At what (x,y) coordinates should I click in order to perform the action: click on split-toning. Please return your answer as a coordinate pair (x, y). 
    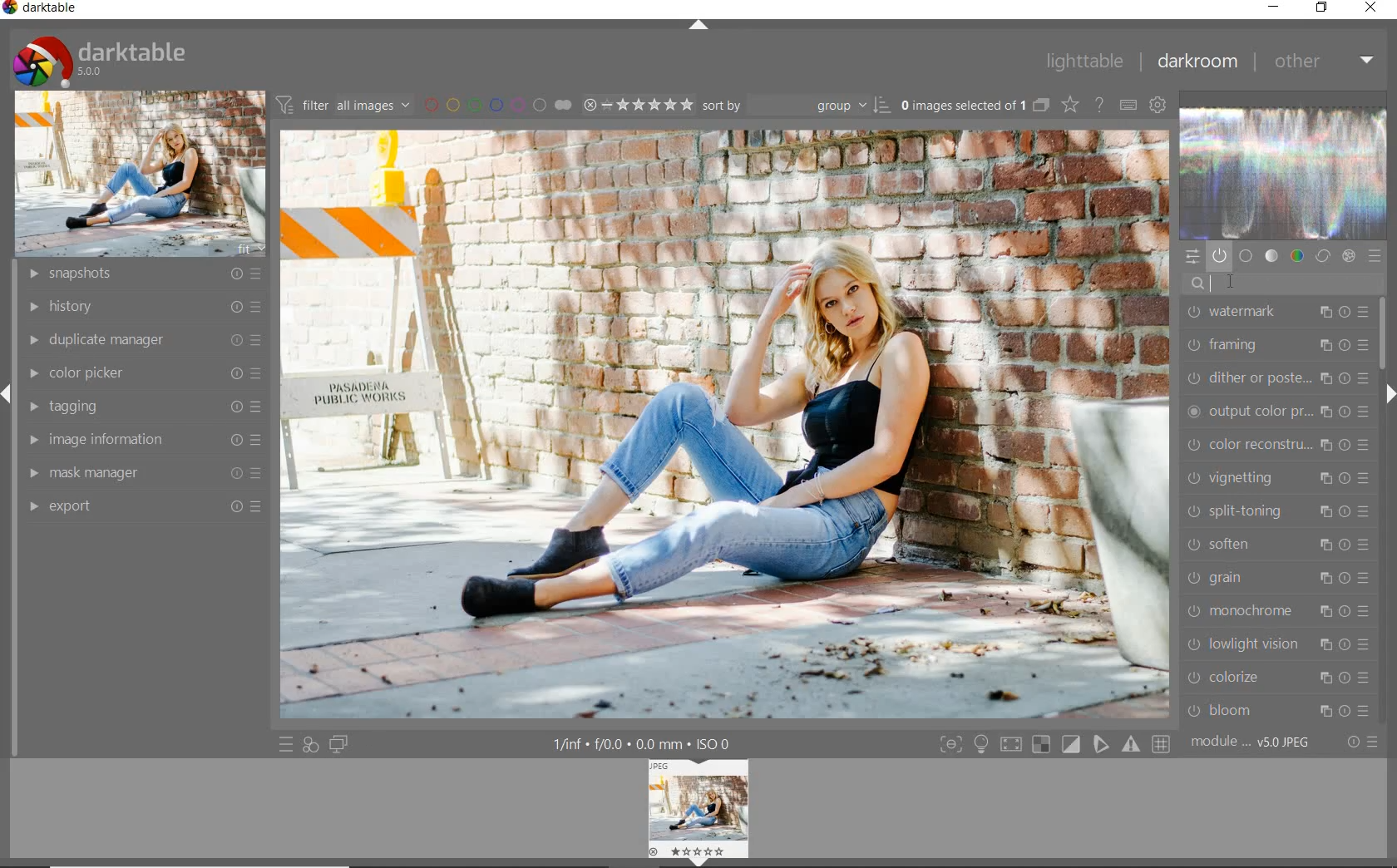
    Looking at the image, I should click on (1276, 514).